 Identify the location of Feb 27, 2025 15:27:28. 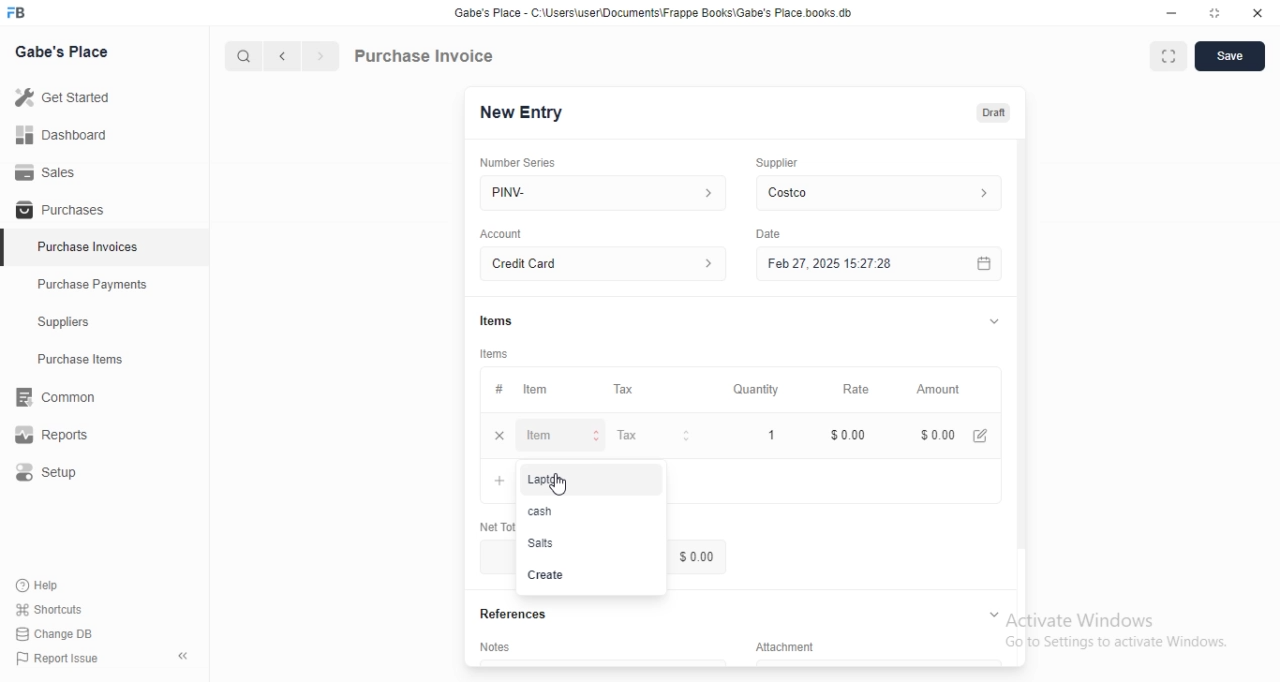
(879, 263).